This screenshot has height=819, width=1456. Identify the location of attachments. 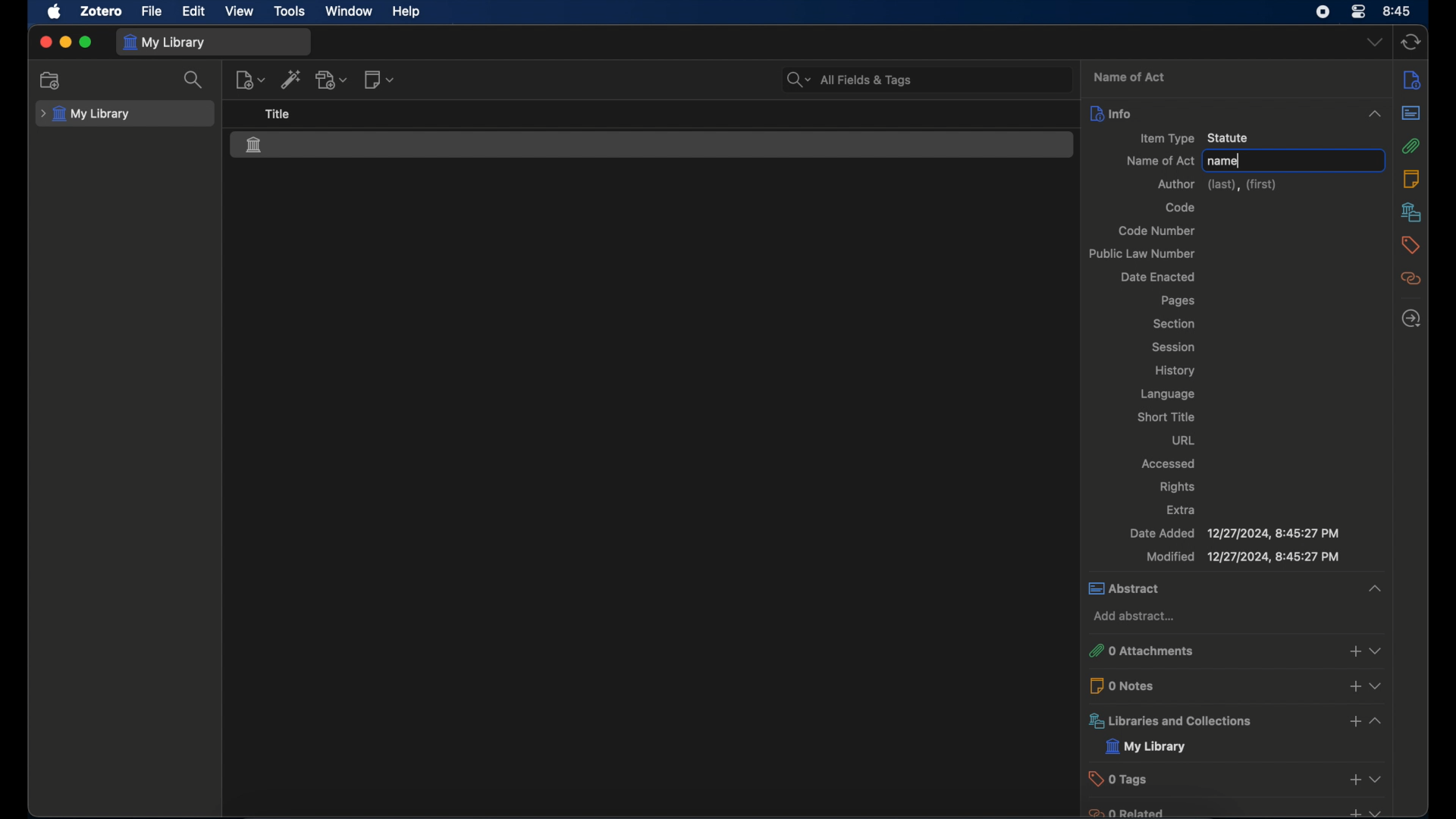
(1411, 146).